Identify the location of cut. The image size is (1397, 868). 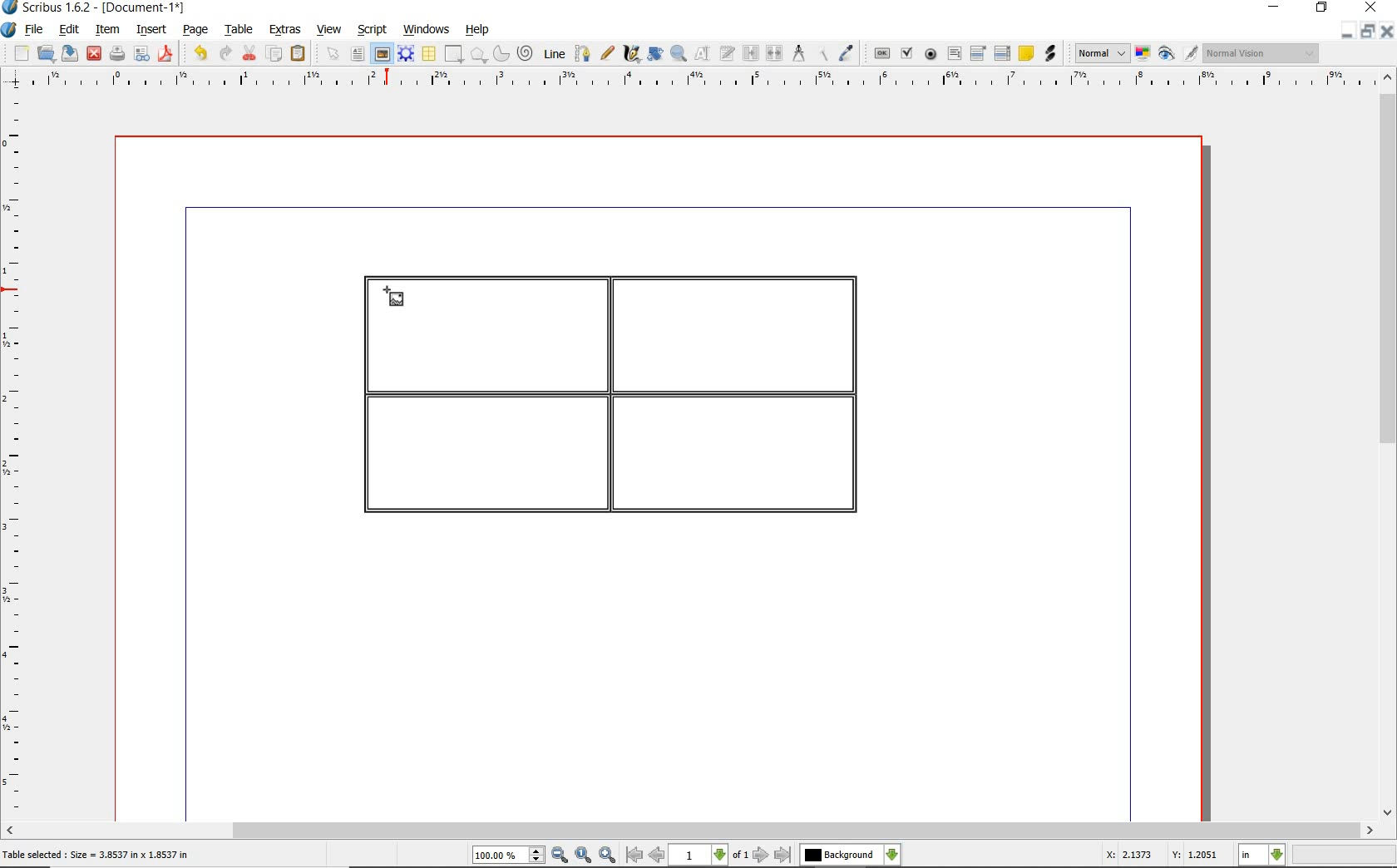
(251, 52).